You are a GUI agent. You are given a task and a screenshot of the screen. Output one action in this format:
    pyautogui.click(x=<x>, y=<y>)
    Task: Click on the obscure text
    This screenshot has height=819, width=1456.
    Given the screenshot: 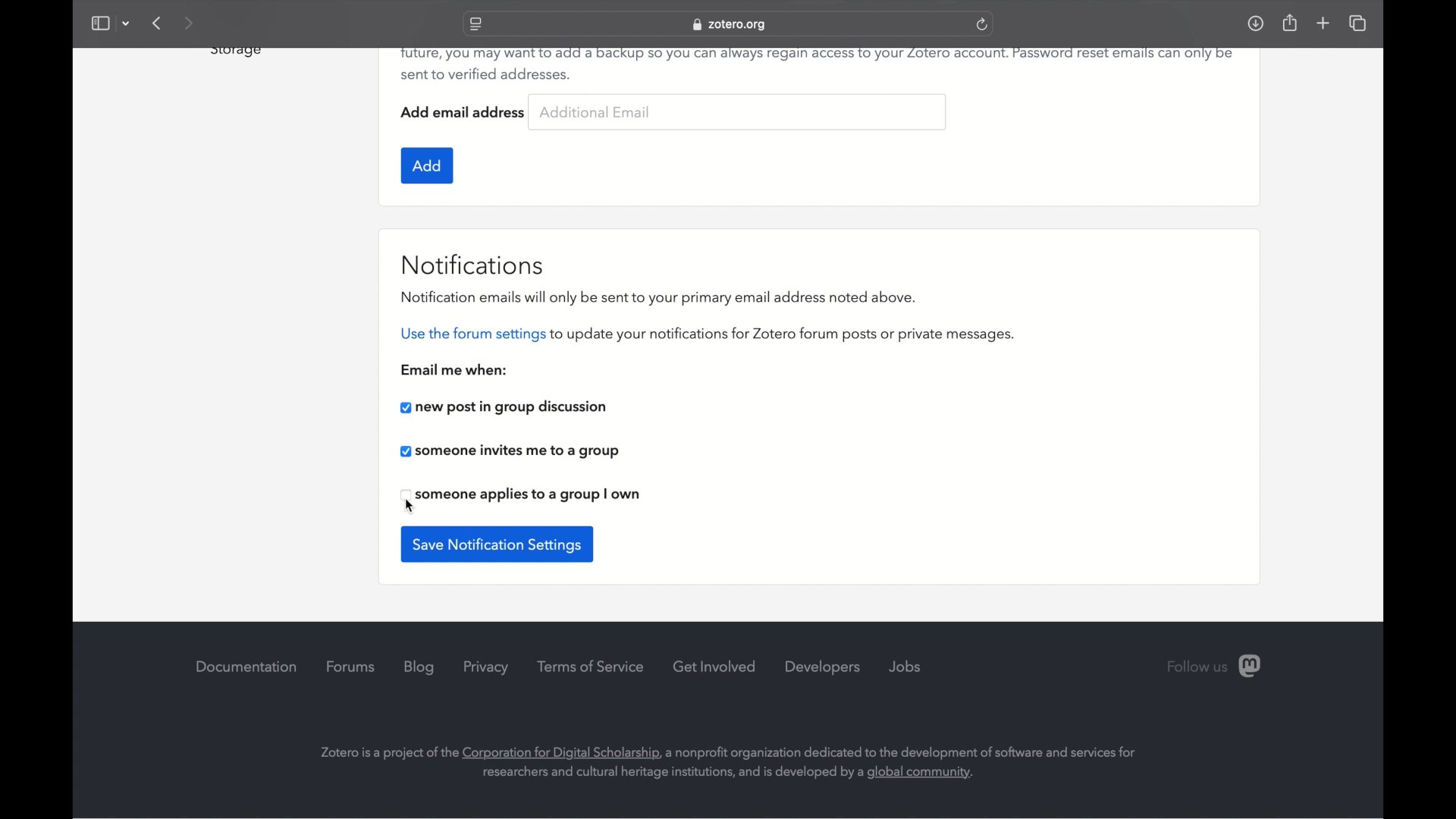 What is the action you would take?
    pyautogui.click(x=234, y=52)
    